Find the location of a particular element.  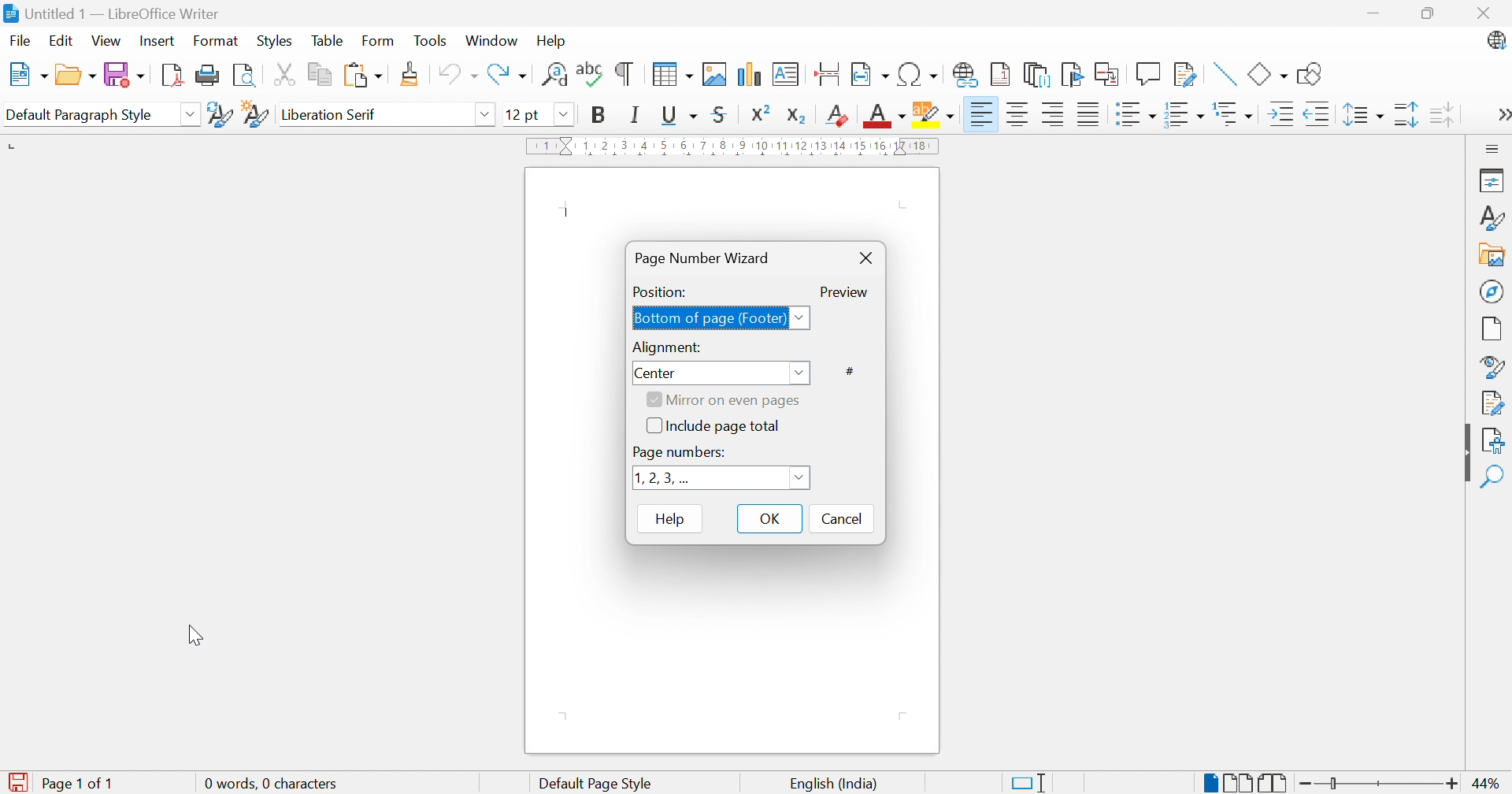

Open is located at coordinates (75, 77).